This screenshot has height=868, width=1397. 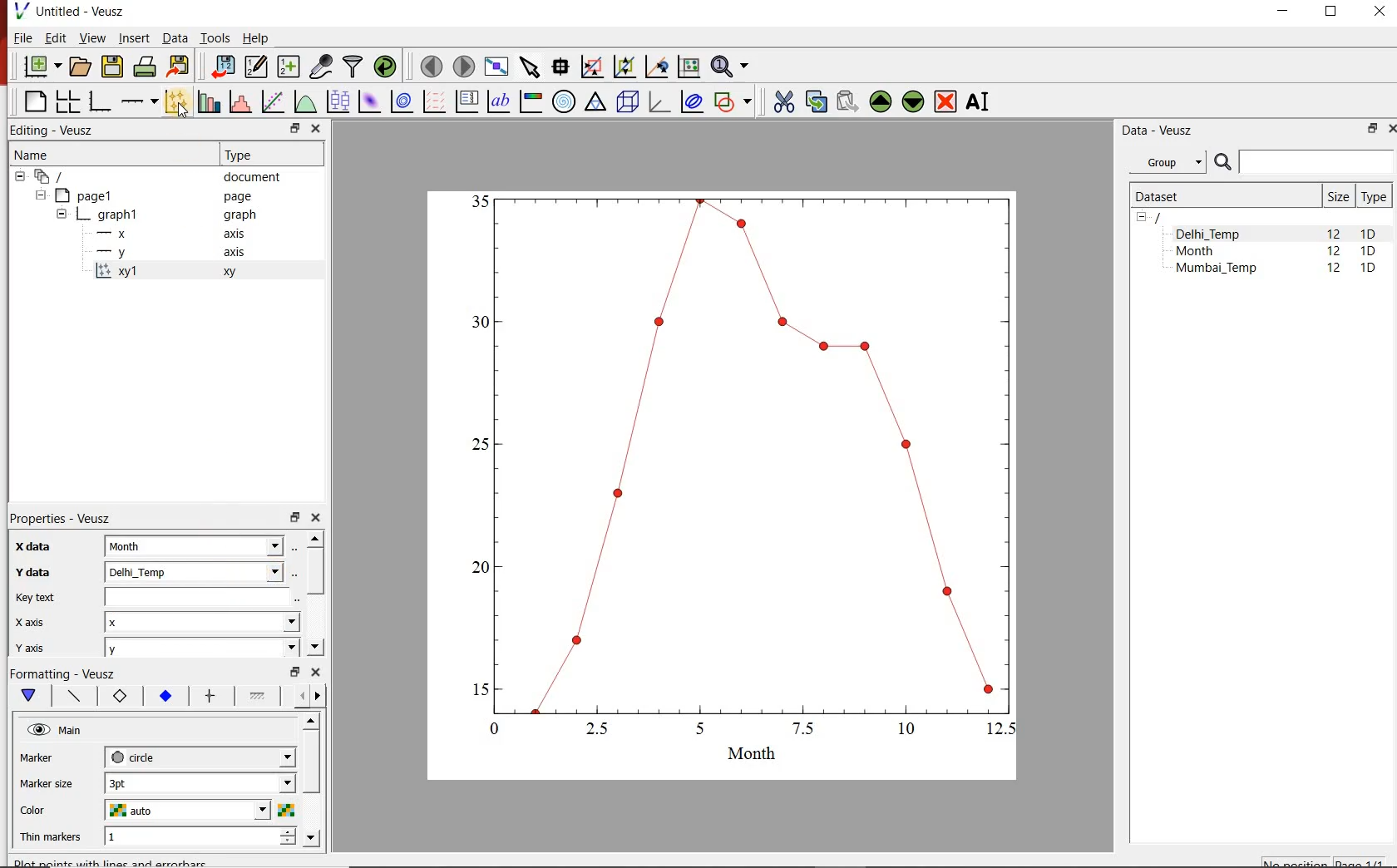 I want to click on -x axis, so click(x=164, y=234).